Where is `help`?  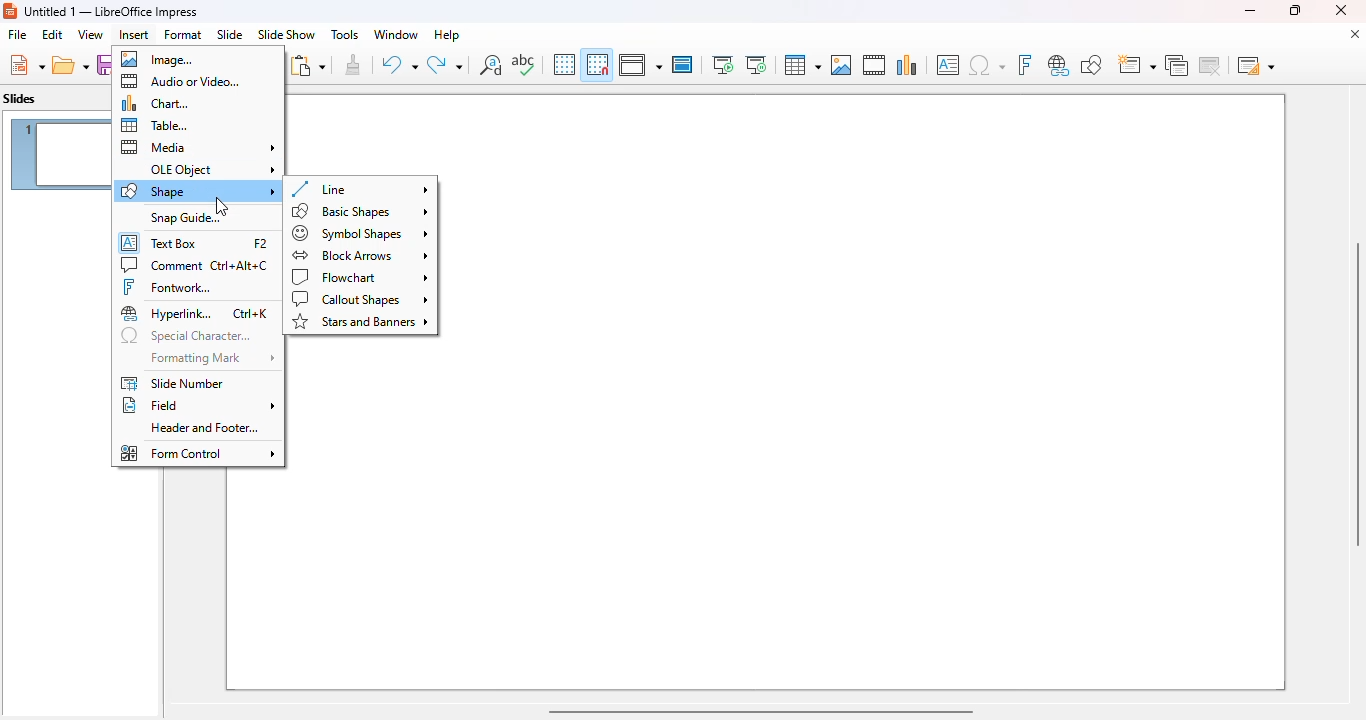 help is located at coordinates (447, 34).